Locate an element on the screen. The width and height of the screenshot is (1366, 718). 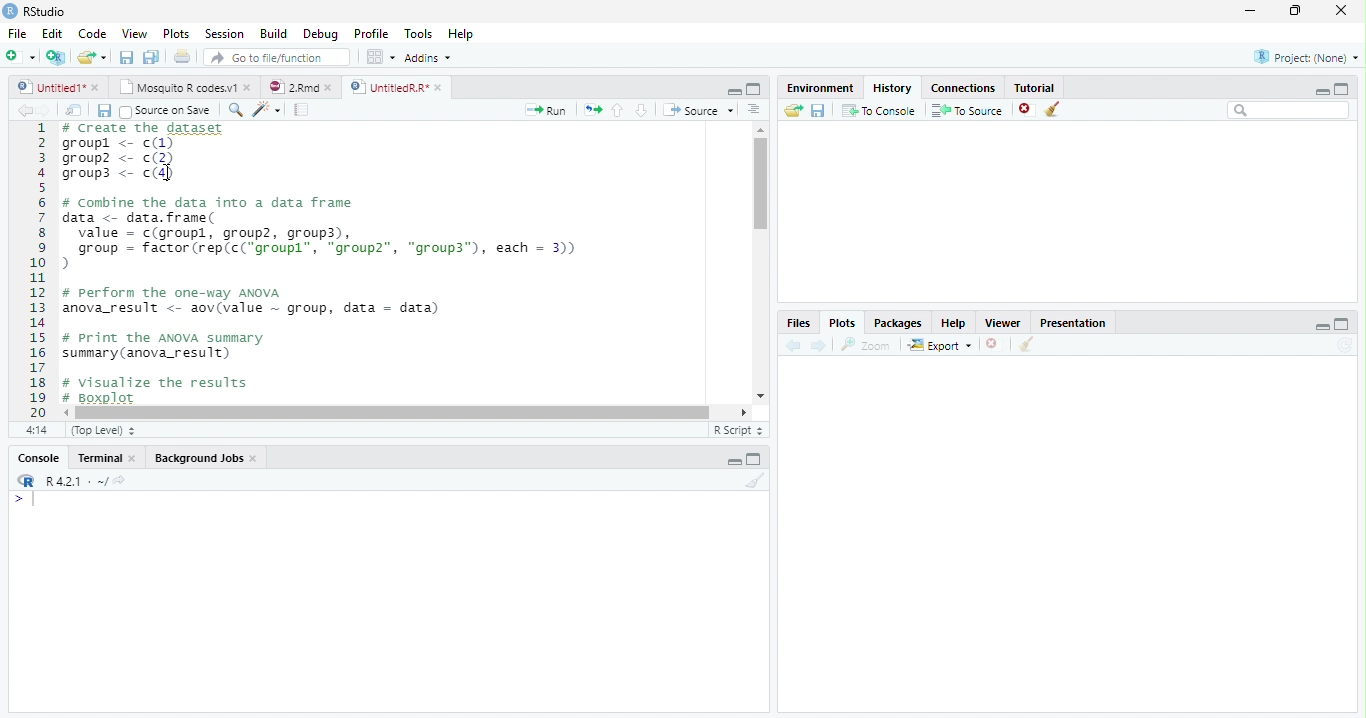
Go to next section  is located at coordinates (642, 111).